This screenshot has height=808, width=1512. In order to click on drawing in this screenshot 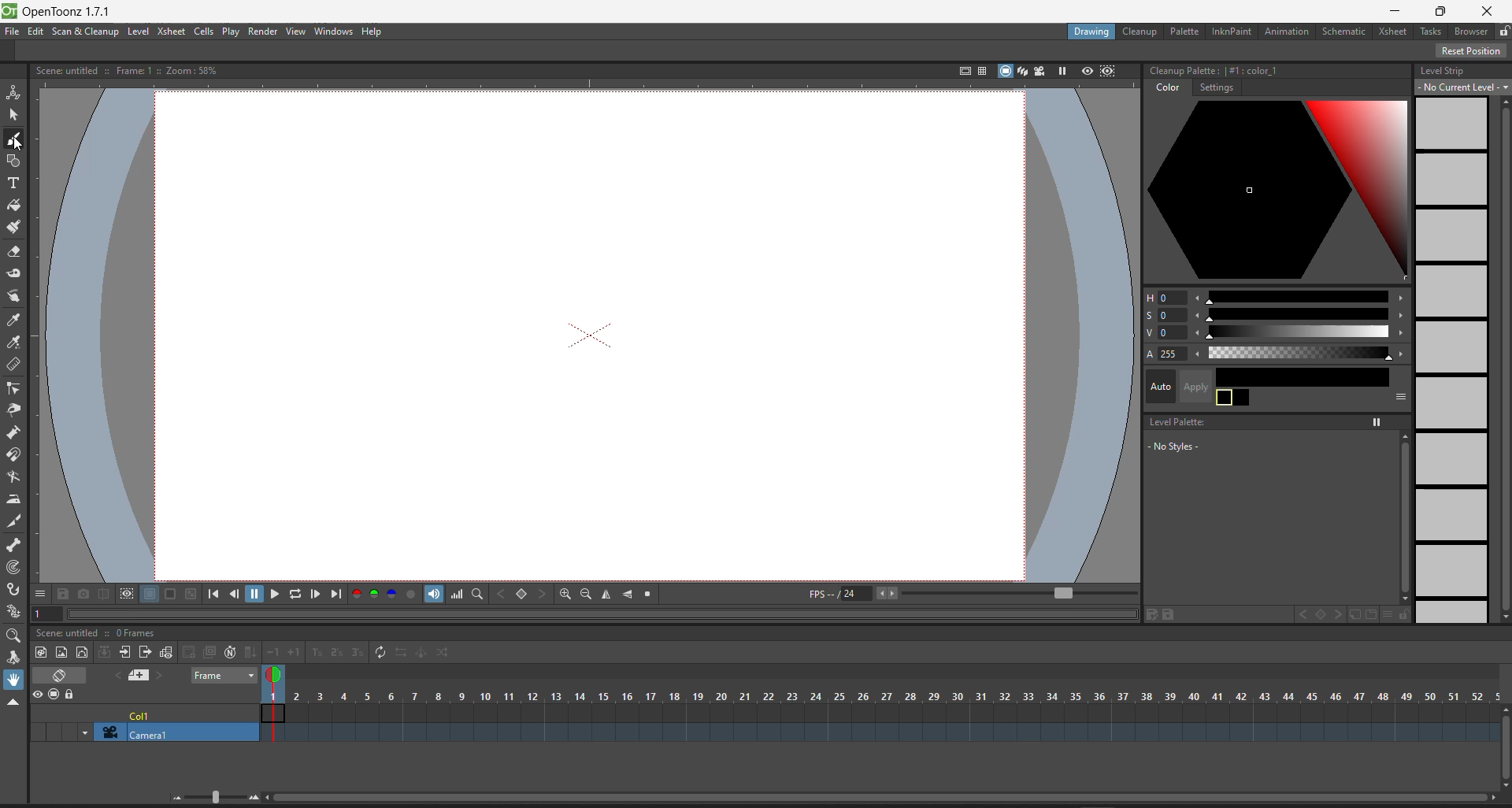, I will do `click(1093, 32)`.